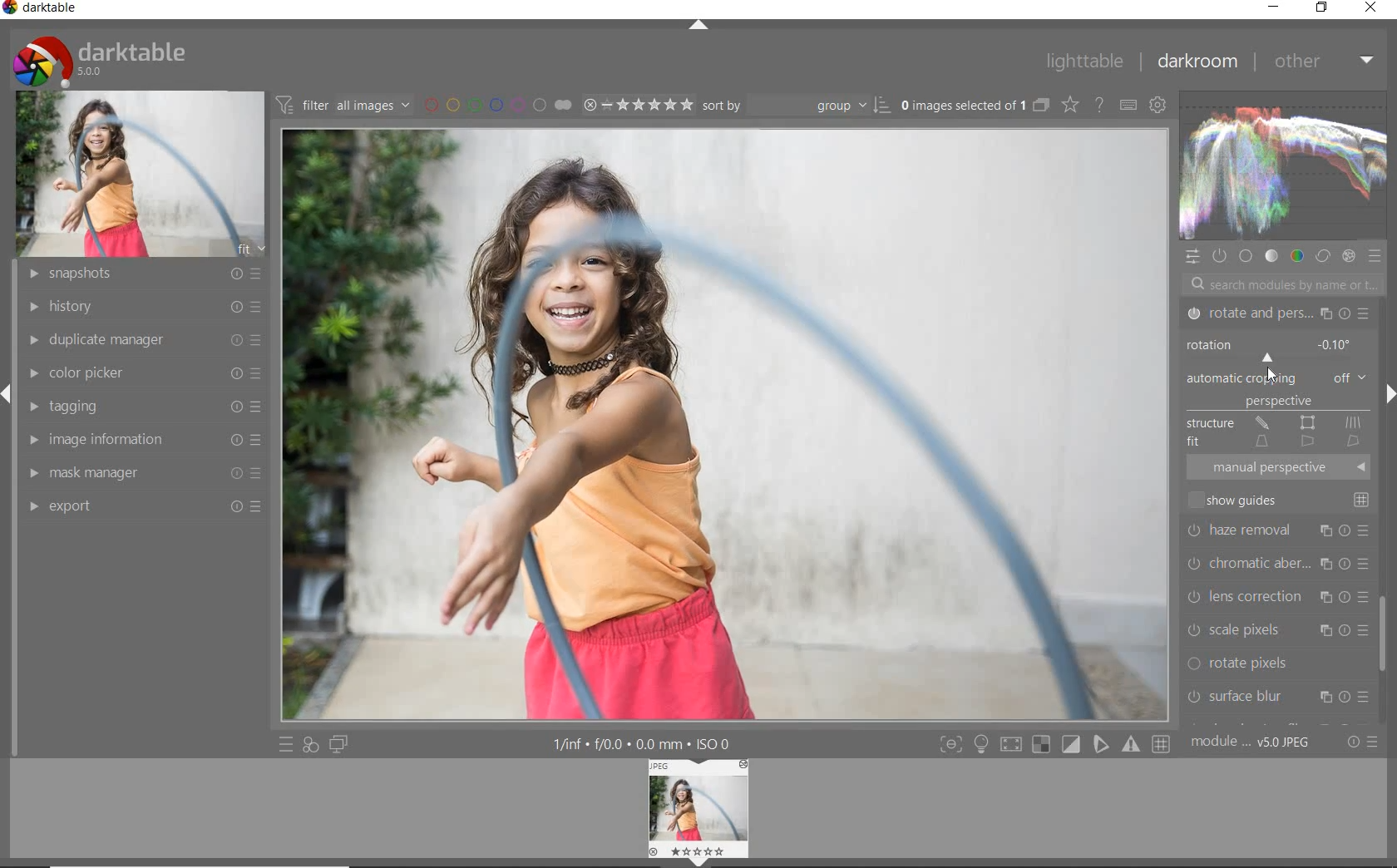 Image resolution: width=1397 pixels, height=868 pixels. I want to click on scale pixels, so click(1272, 627).